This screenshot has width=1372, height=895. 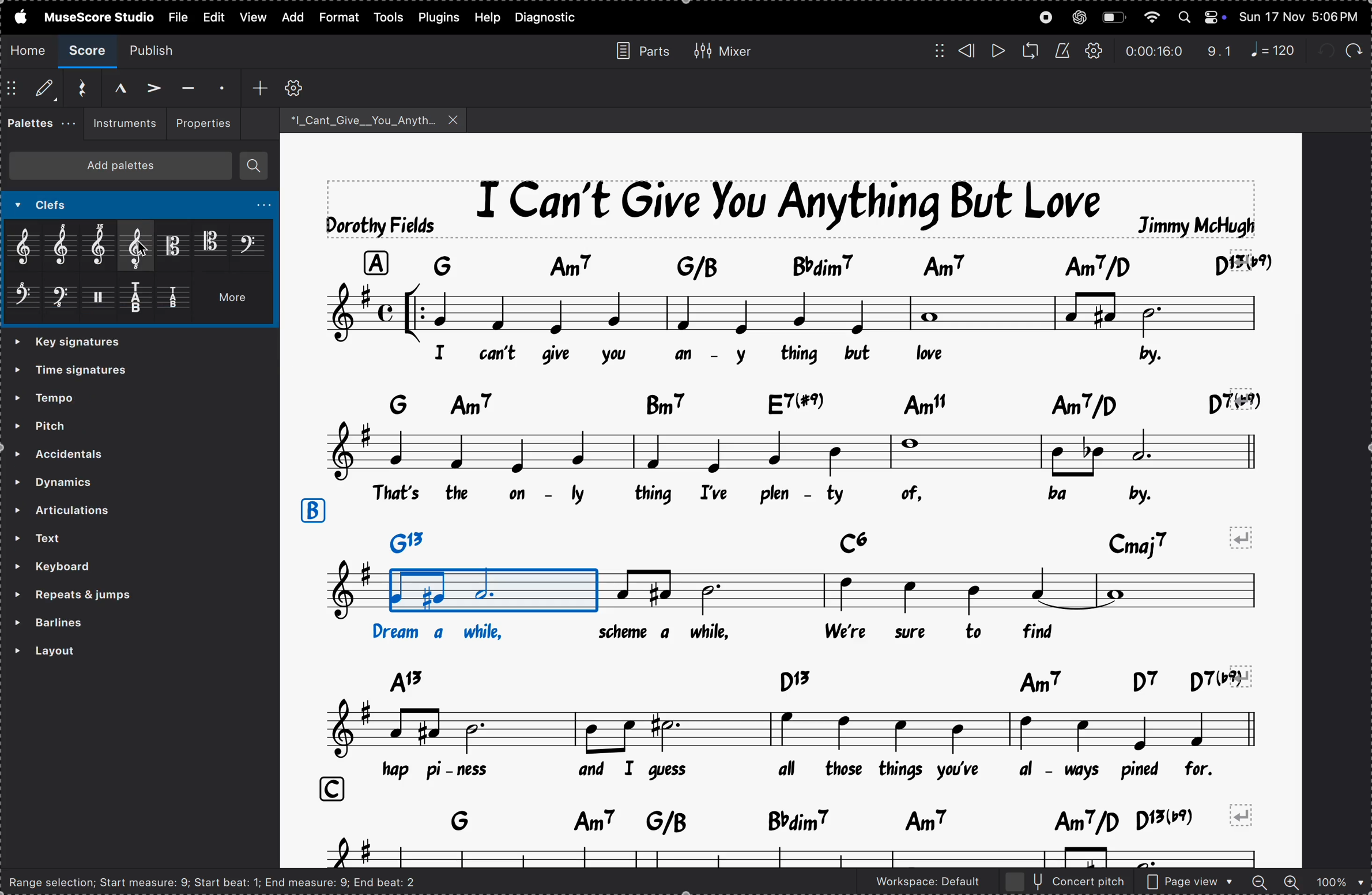 What do you see at coordinates (27, 247) in the screenshot?
I see `treble clef ` at bounding box center [27, 247].